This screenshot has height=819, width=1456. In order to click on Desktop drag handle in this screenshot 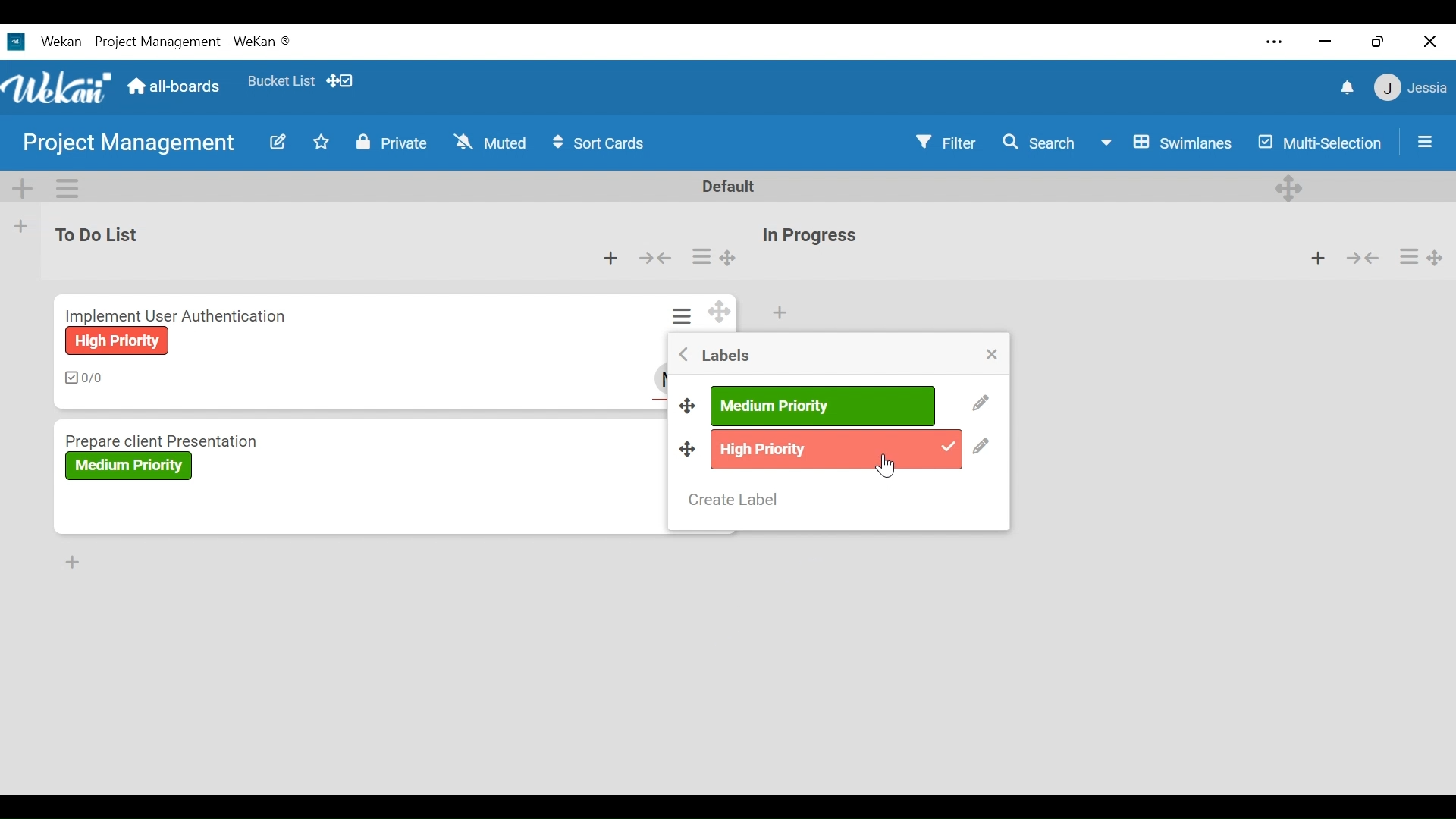, I will do `click(1436, 257)`.